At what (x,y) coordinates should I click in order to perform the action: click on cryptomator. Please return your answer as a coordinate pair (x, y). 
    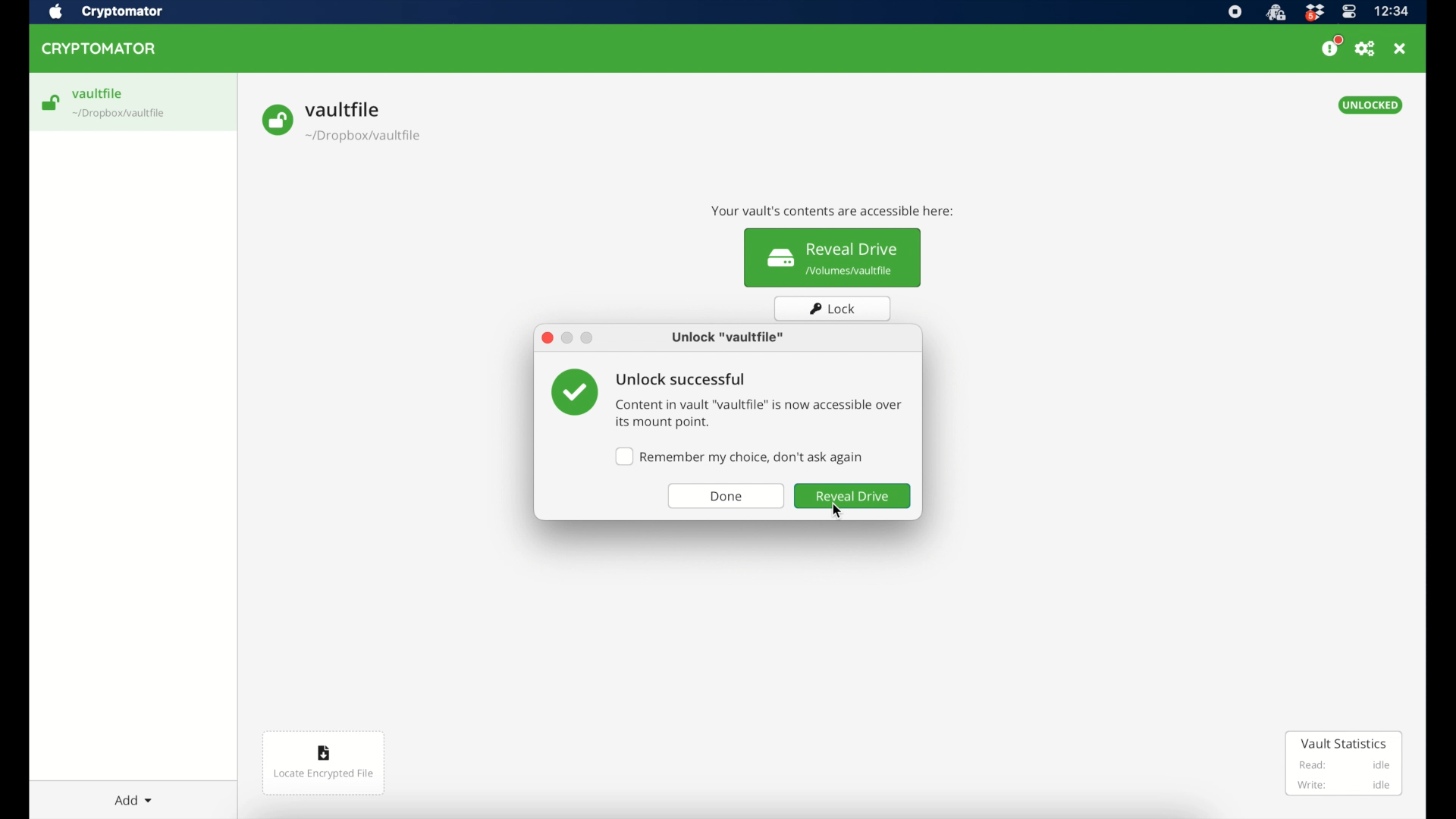
    Looking at the image, I should click on (99, 48).